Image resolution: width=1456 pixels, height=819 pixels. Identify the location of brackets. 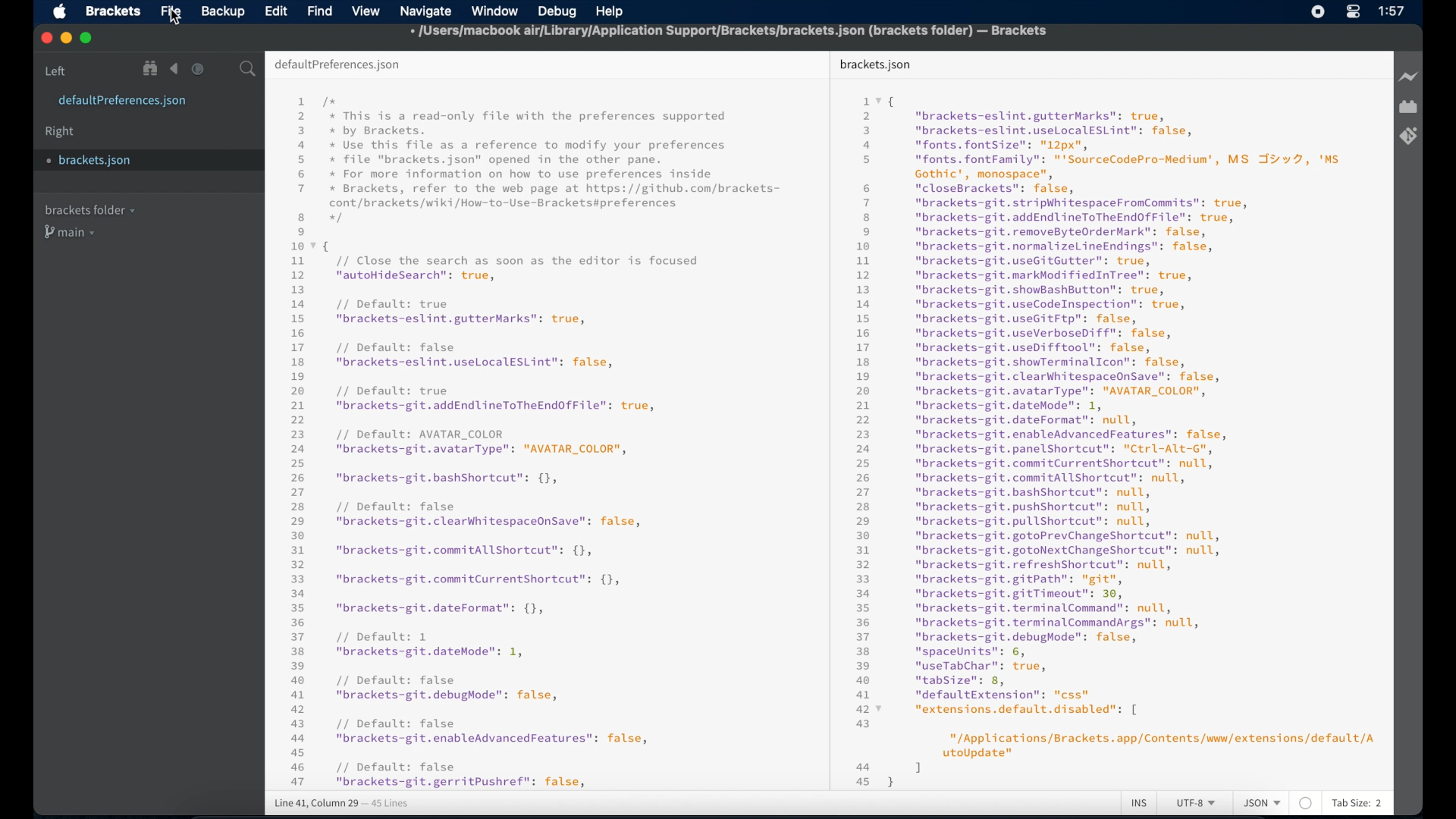
(114, 11).